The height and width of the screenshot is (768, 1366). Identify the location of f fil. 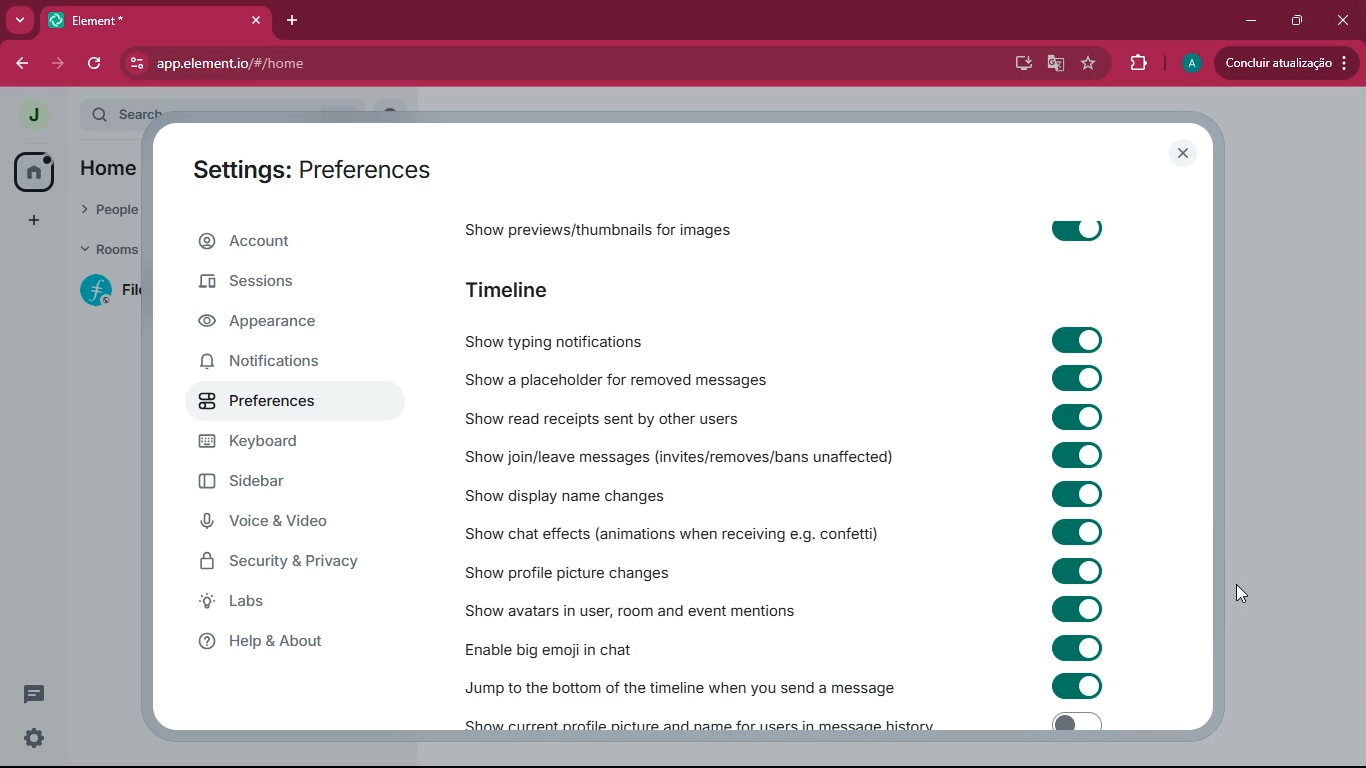
(103, 292).